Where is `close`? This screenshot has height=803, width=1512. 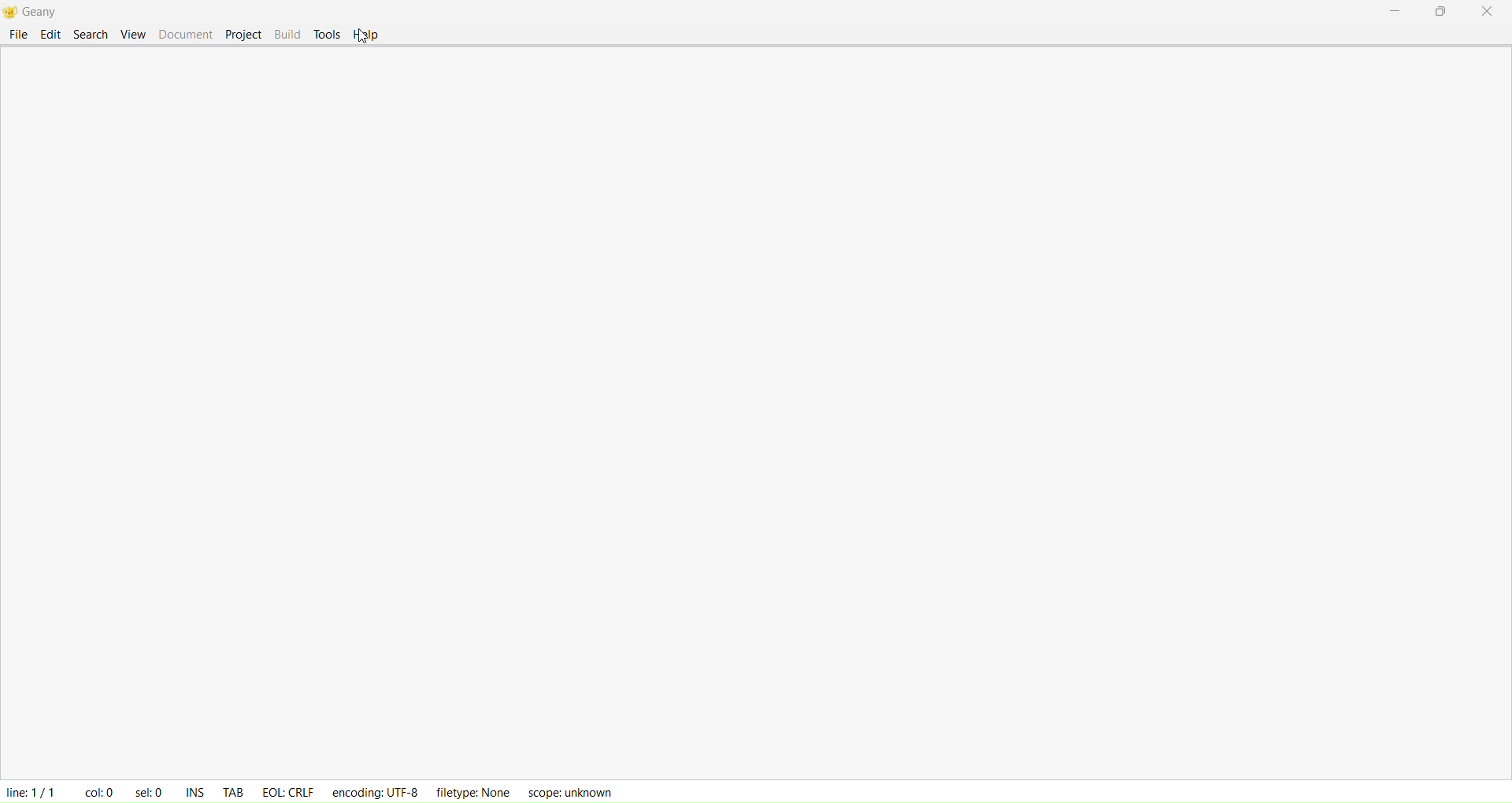
close is located at coordinates (1488, 13).